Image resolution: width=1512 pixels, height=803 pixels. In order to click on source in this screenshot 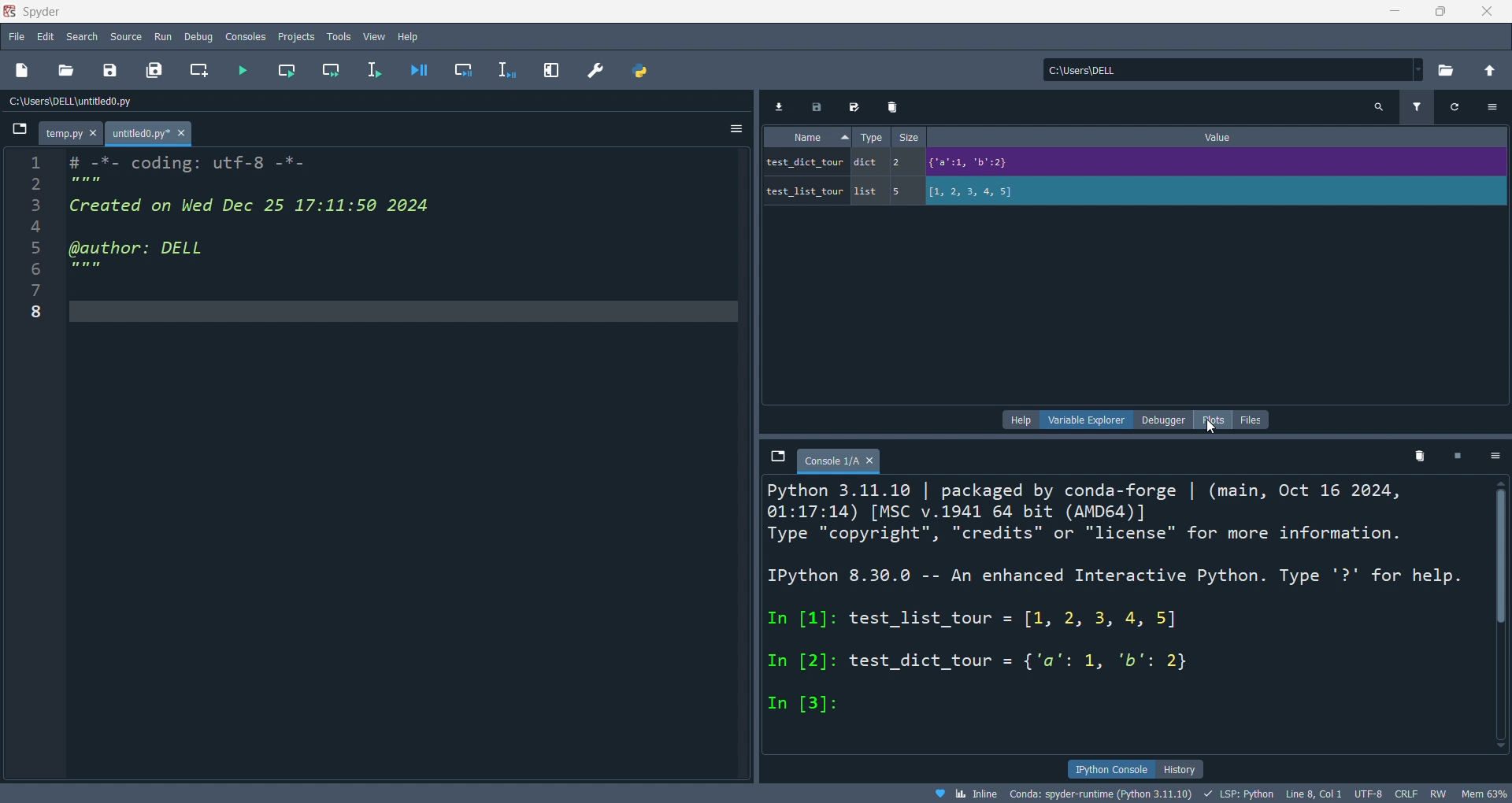, I will do `click(123, 36)`.